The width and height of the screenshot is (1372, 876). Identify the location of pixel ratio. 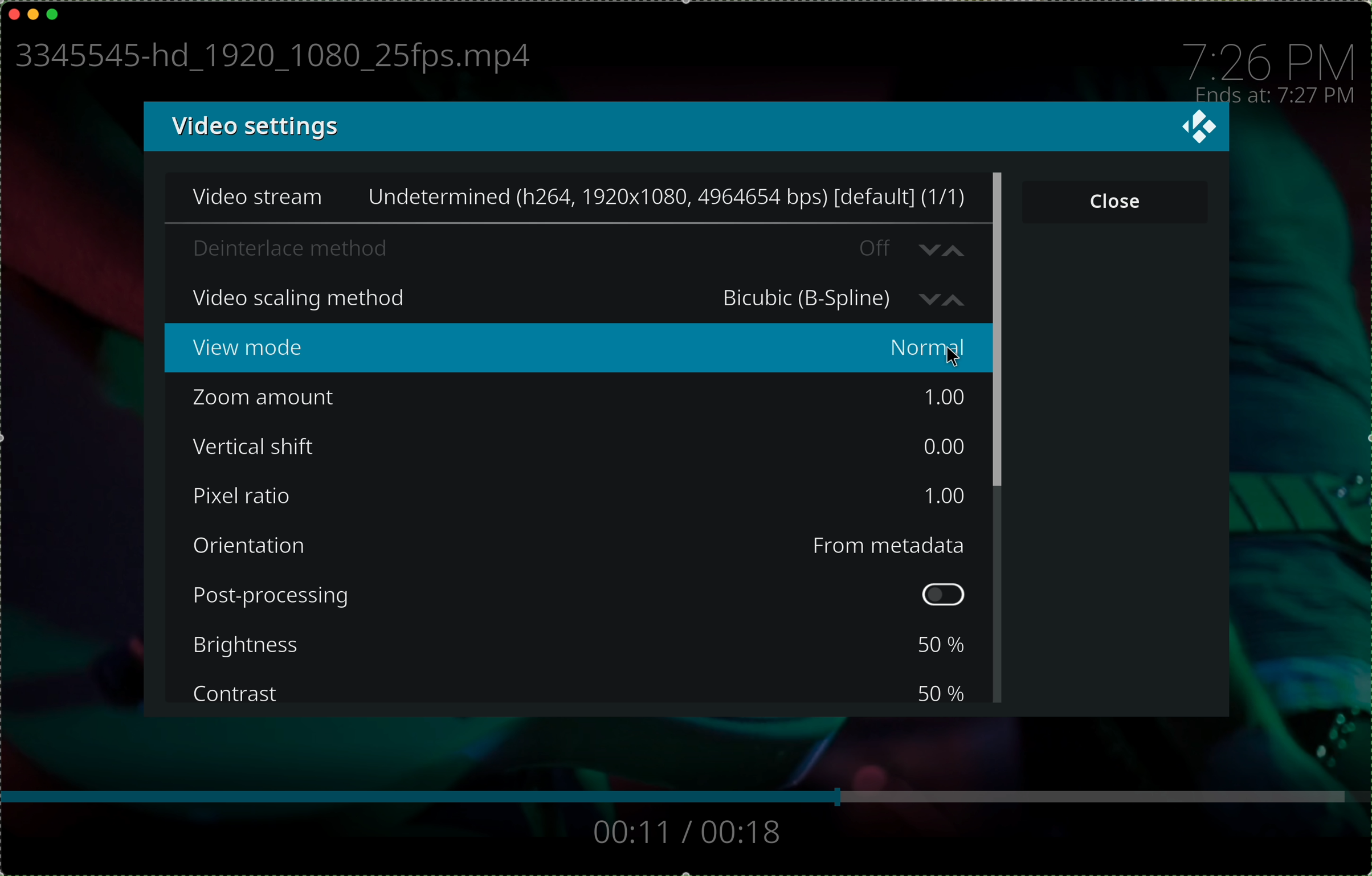
(241, 497).